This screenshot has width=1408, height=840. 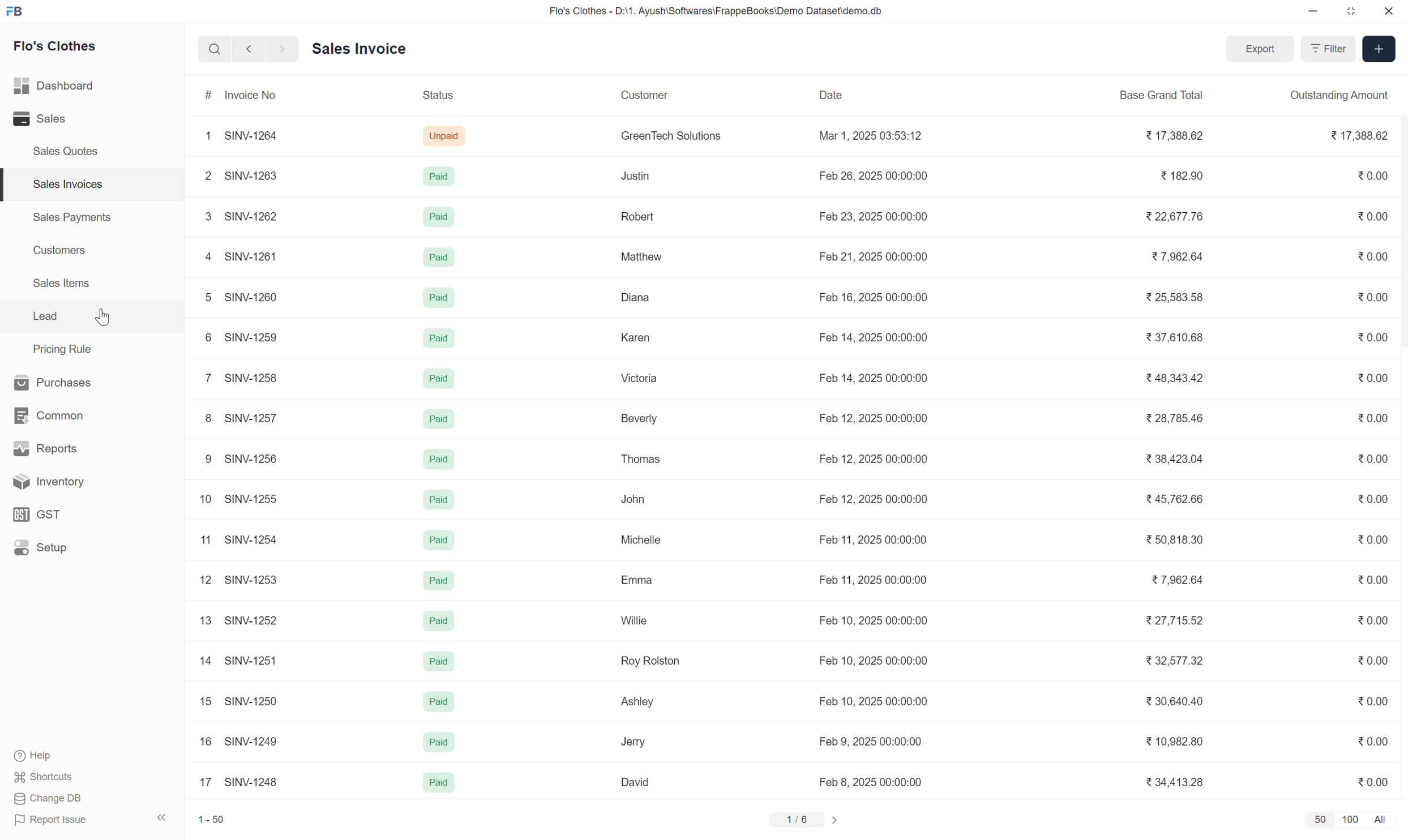 I want to click on Paid, so click(x=438, y=178).